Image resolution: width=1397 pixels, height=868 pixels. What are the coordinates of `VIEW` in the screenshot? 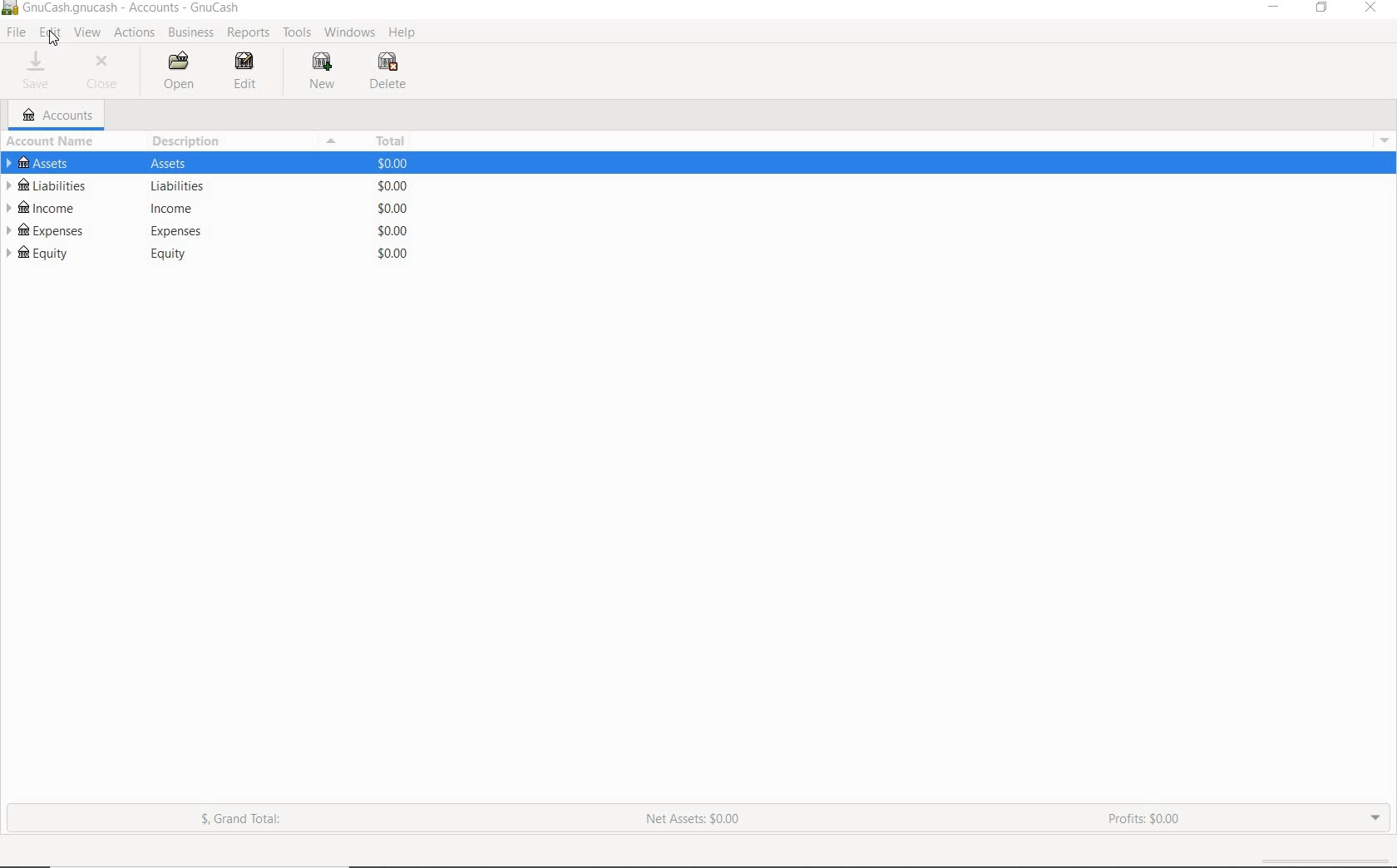 It's located at (88, 33).